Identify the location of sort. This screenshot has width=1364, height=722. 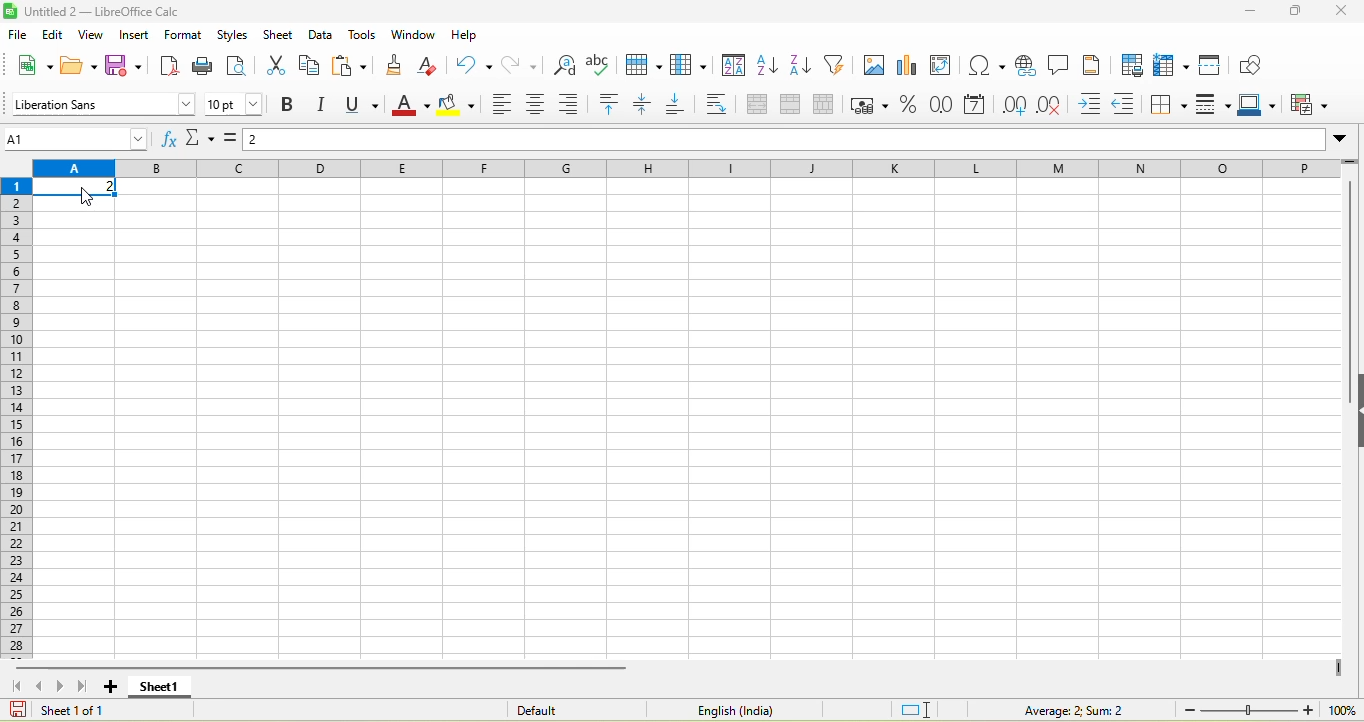
(734, 68).